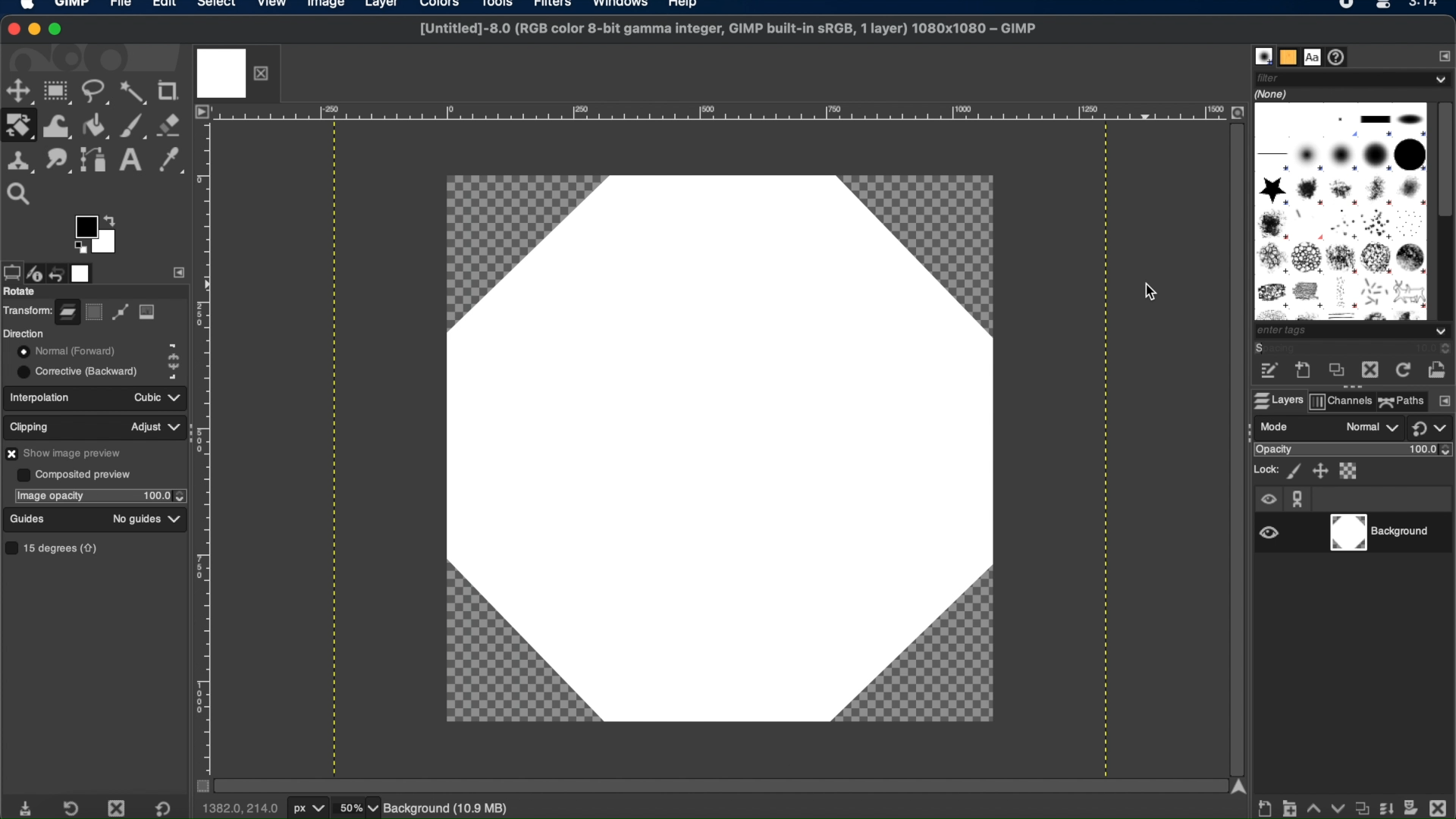 Image resolution: width=1456 pixels, height=819 pixels. Describe the element at coordinates (169, 808) in the screenshot. I see `restore to default value` at that location.